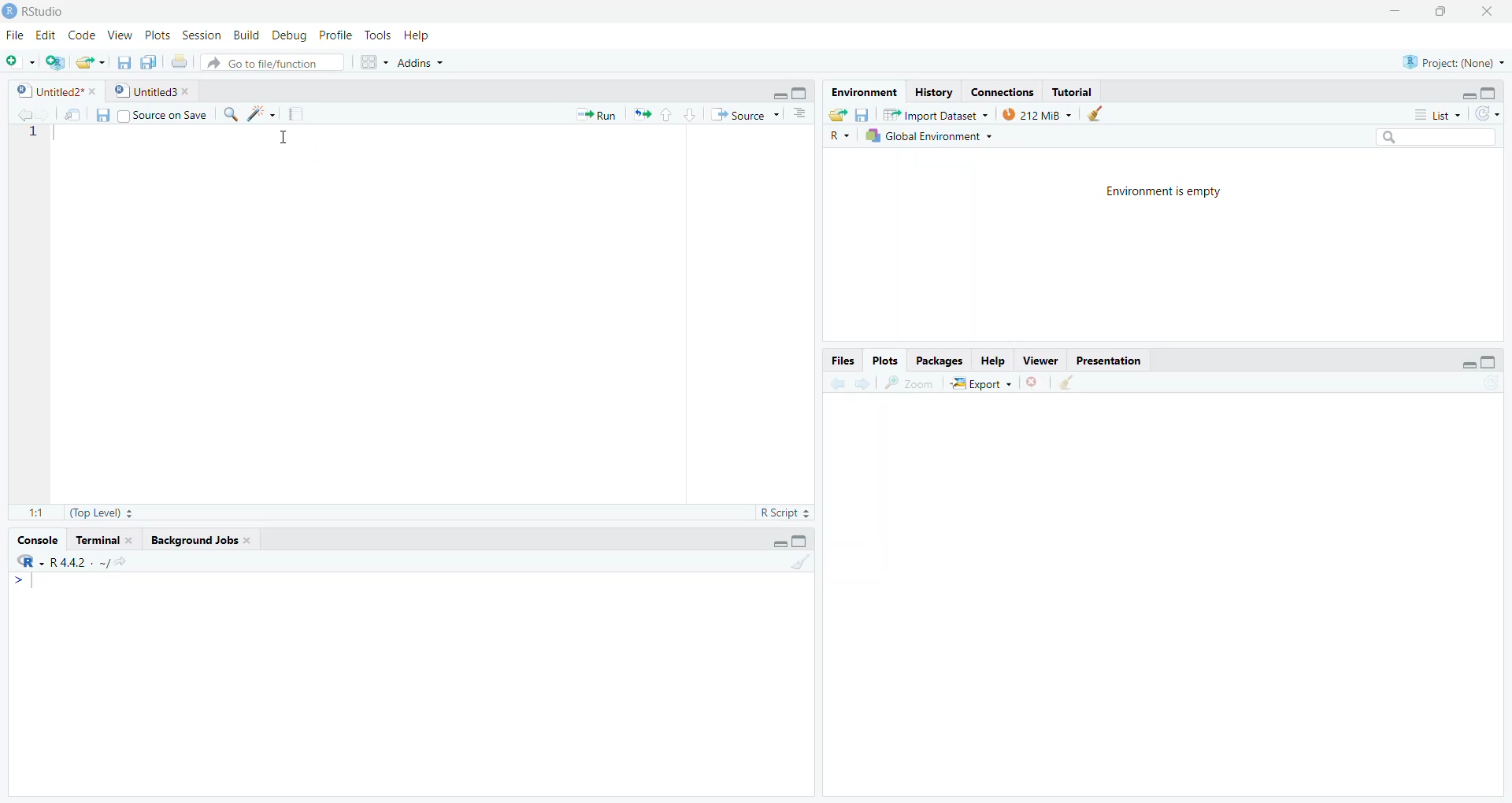 The height and width of the screenshot is (803, 1512). Describe the element at coordinates (910, 382) in the screenshot. I see `zoom` at that location.